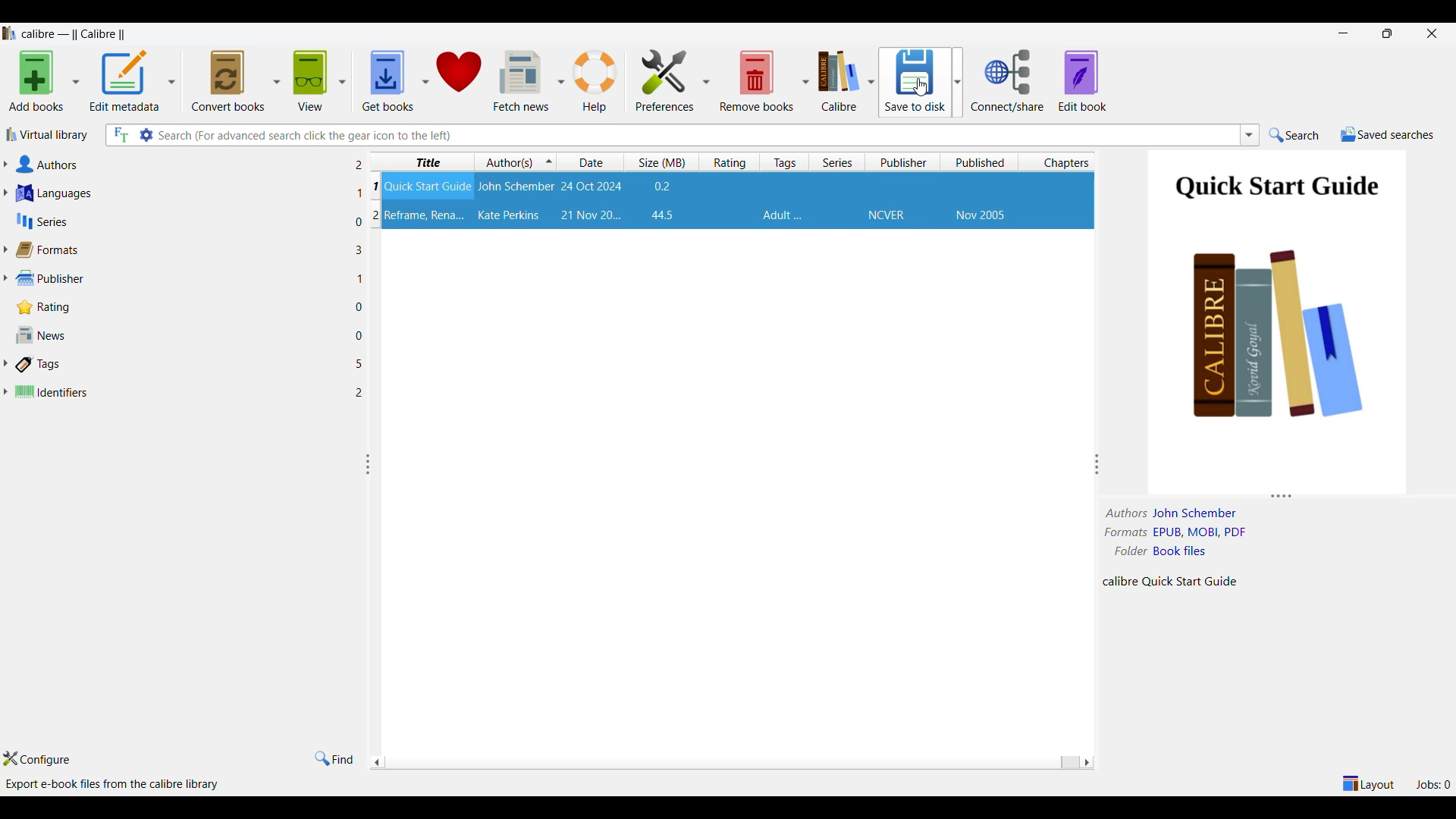 The image size is (1456, 819). What do you see at coordinates (1388, 134) in the screenshot?
I see `Saved searches` at bounding box center [1388, 134].